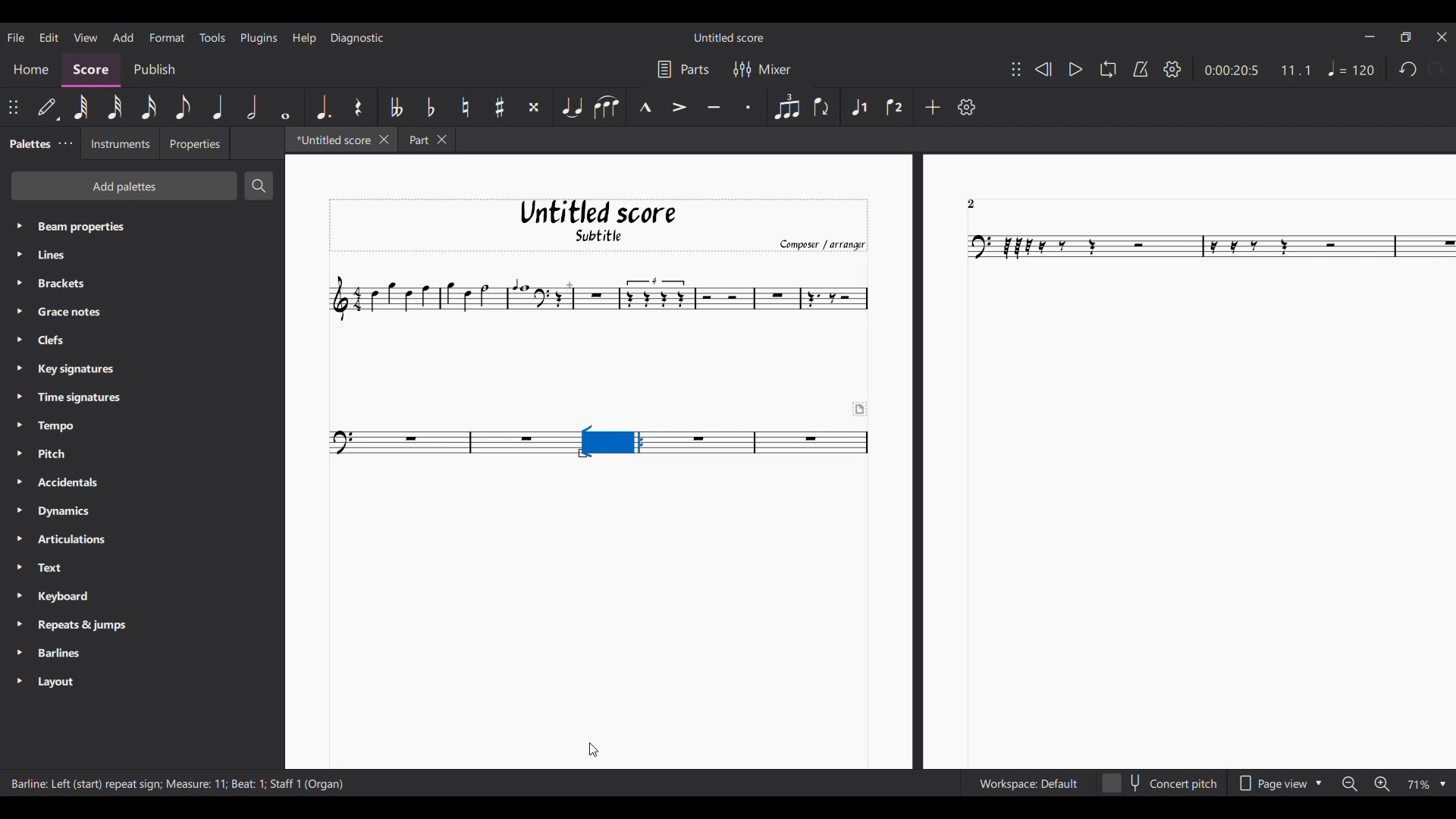 The width and height of the screenshot is (1456, 819). Describe the element at coordinates (19, 454) in the screenshot. I see `Expand` at that location.